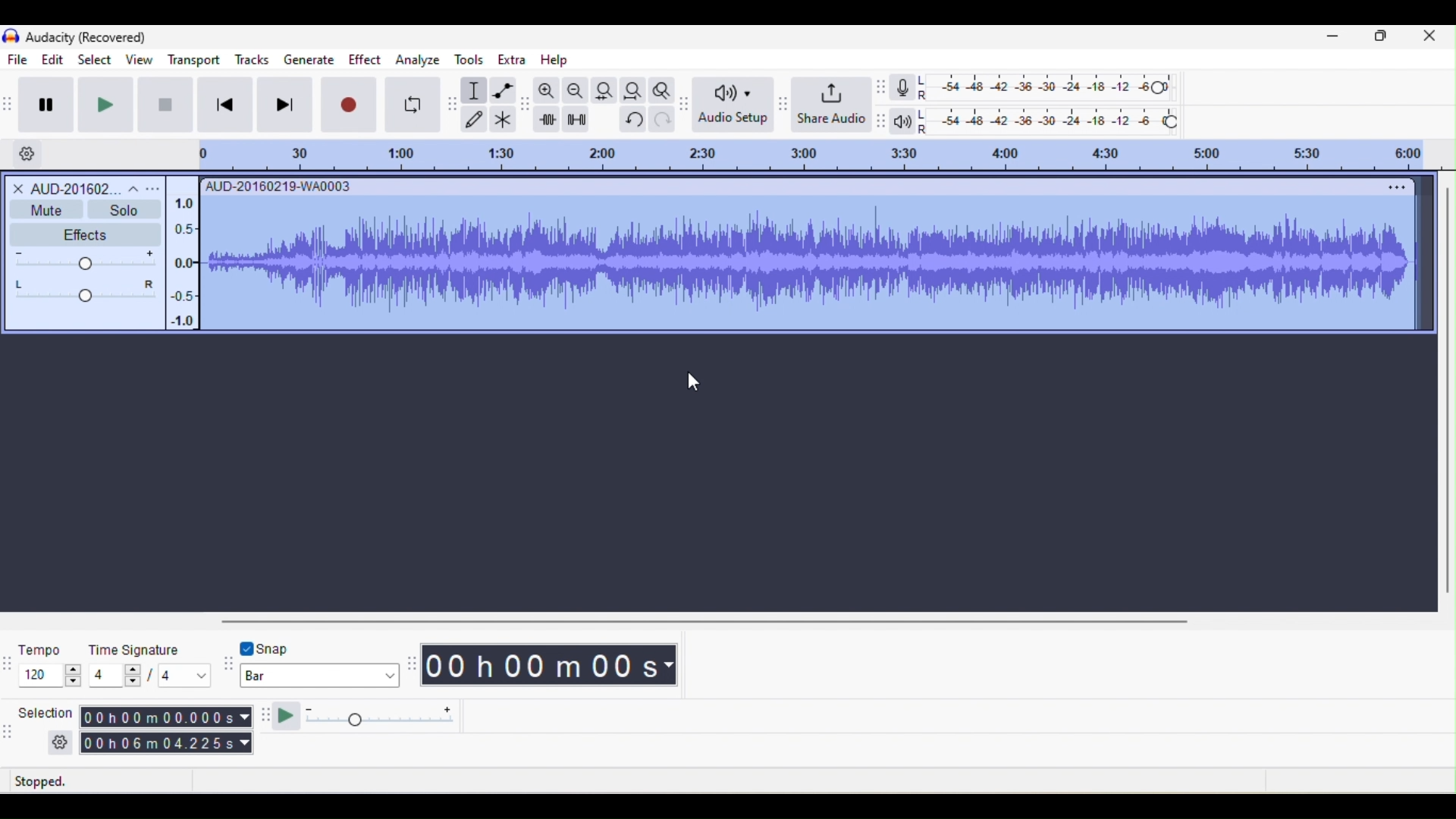 This screenshot has height=819, width=1456. What do you see at coordinates (547, 91) in the screenshot?
I see `zoom in` at bounding box center [547, 91].